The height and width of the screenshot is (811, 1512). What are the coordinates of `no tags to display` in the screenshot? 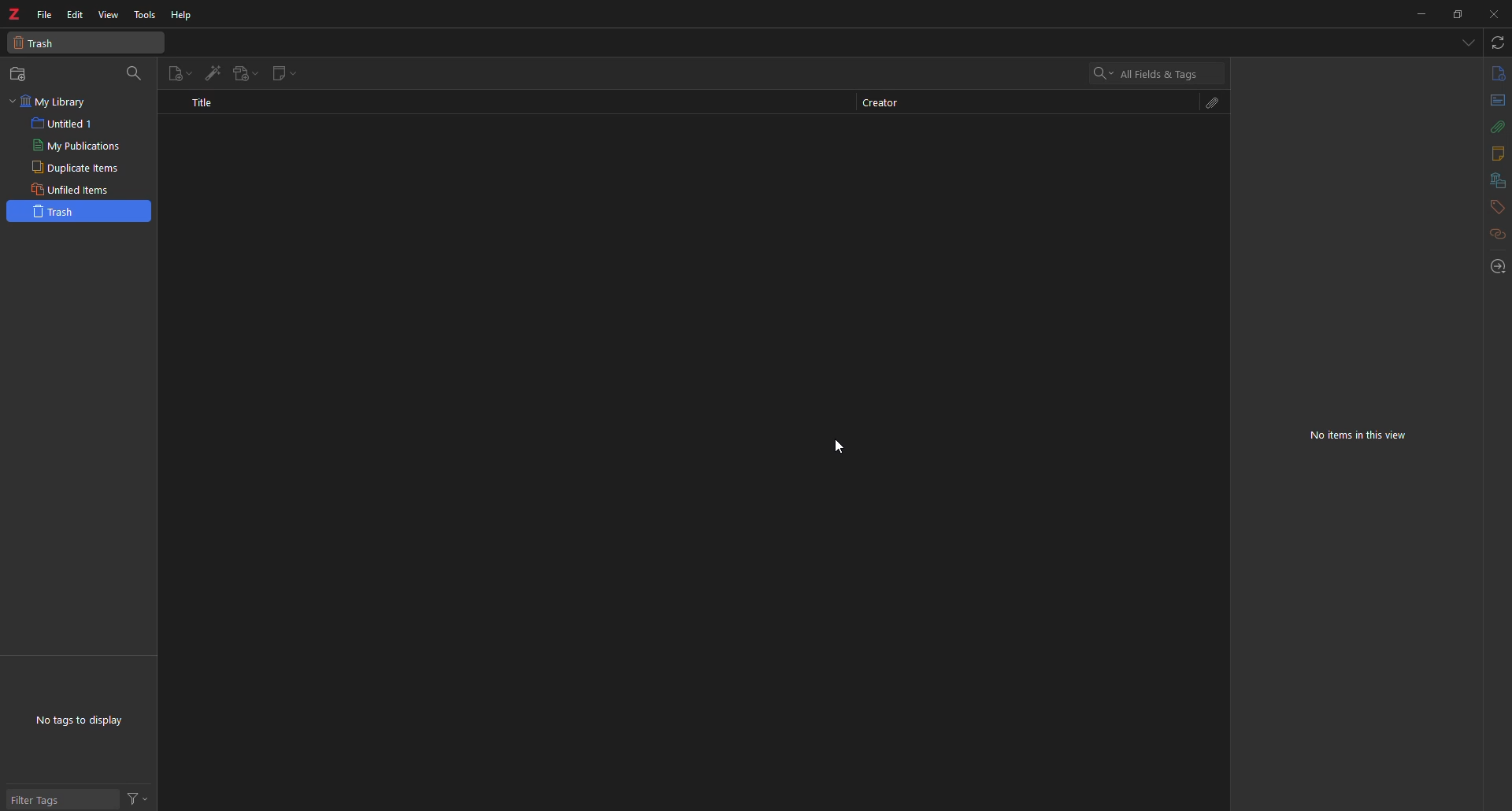 It's located at (84, 720).